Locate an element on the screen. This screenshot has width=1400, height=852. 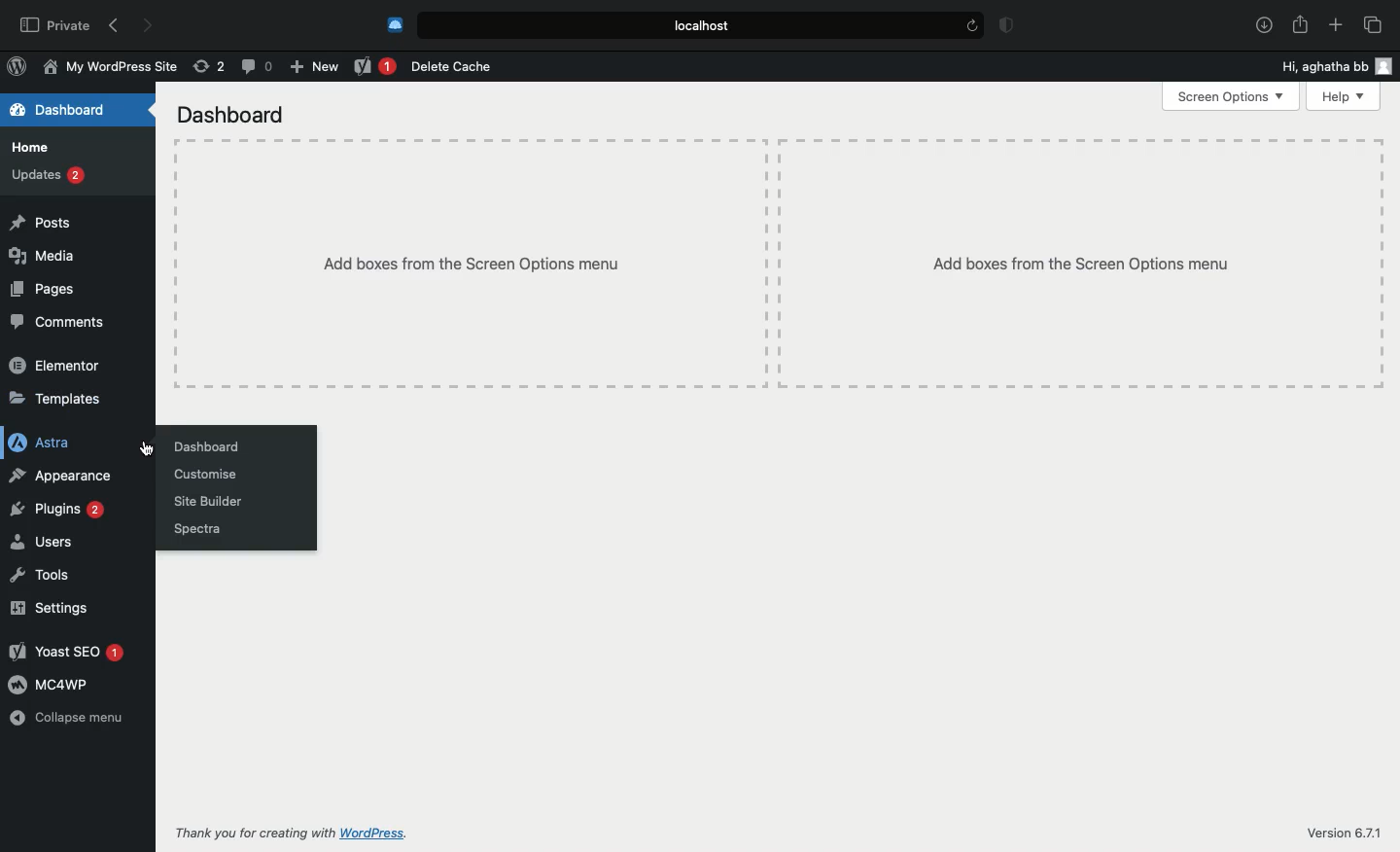
Back is located at coordinates (118, 26).